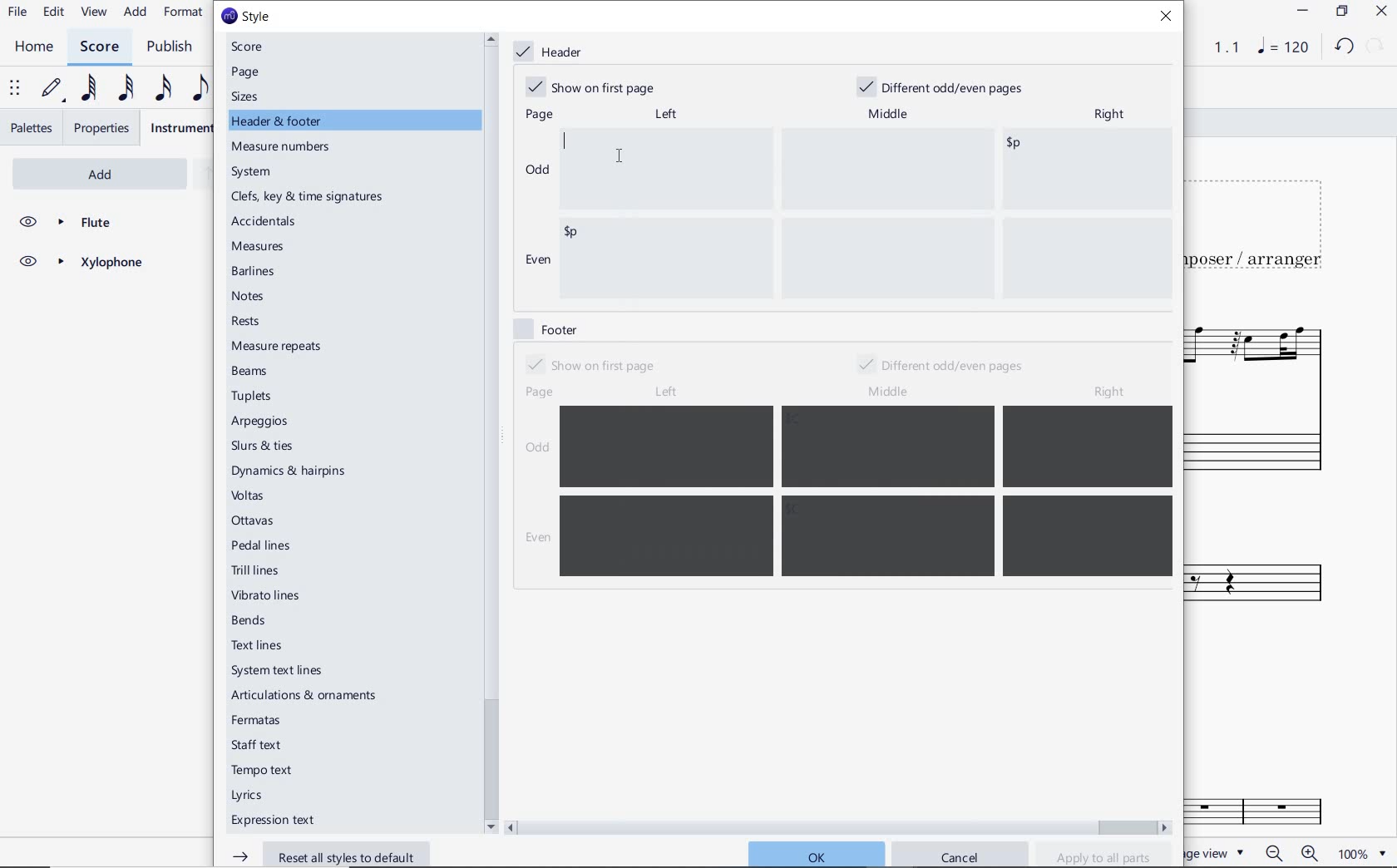 The width and height of the screenshot is (1397, 868). Describe the element at coordinates (1341, 12) in the screenshot. I see `RESTORE DOWN` at that location.